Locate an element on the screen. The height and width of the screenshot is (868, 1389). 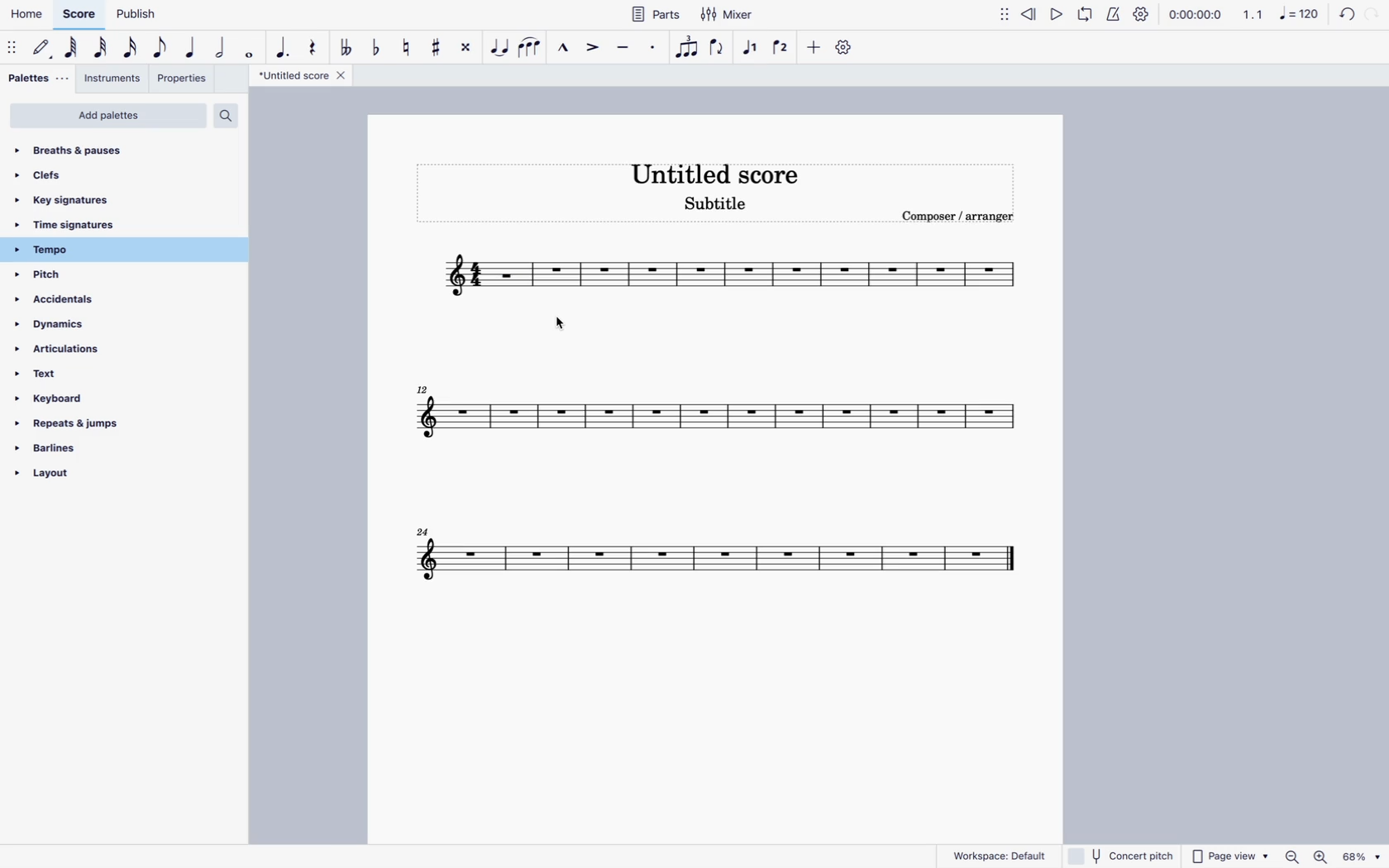
back is located at coordinates (1344, 17).